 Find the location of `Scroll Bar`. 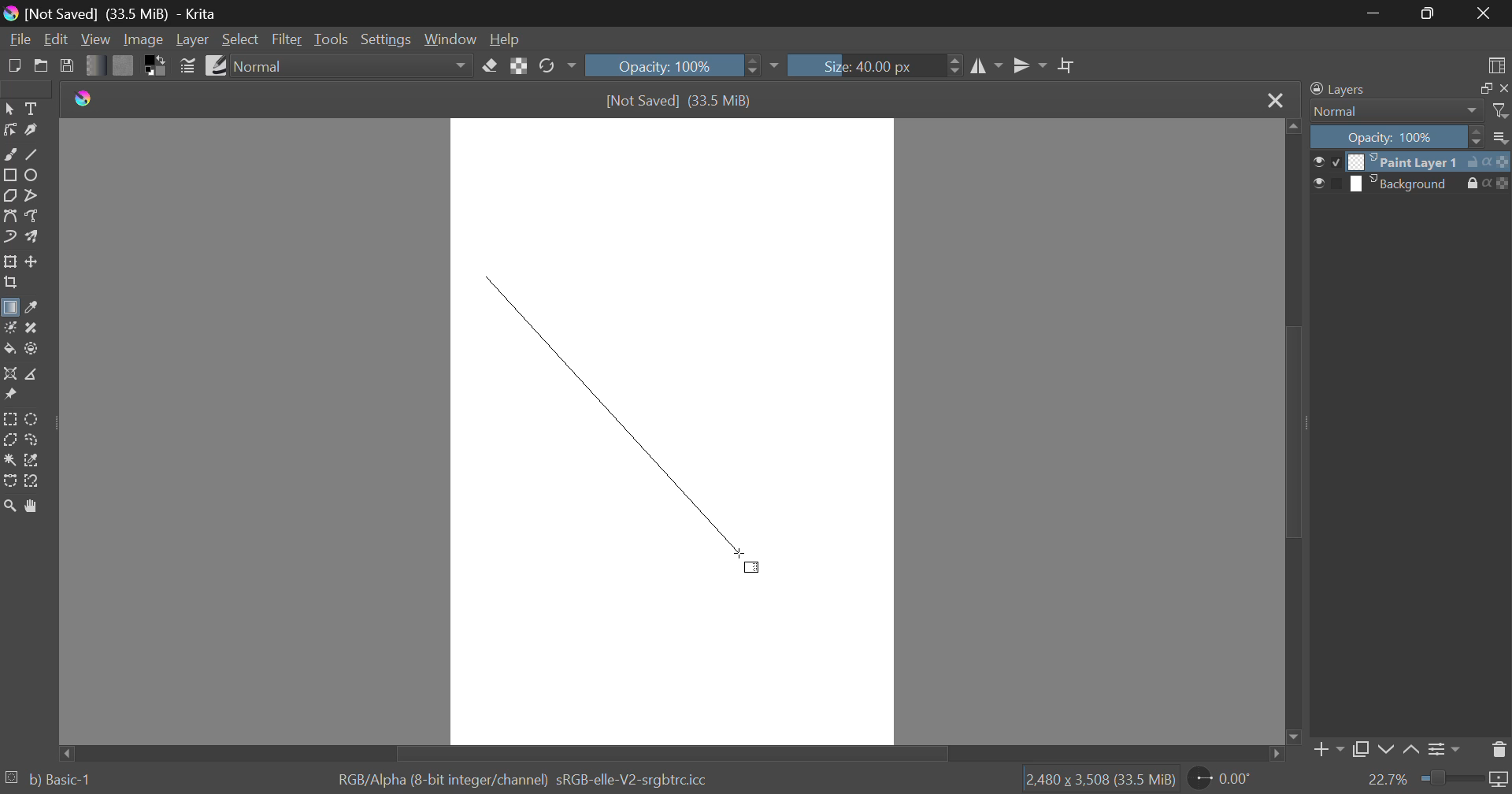

Scroll Bar is located at coordinates (1291, 433).